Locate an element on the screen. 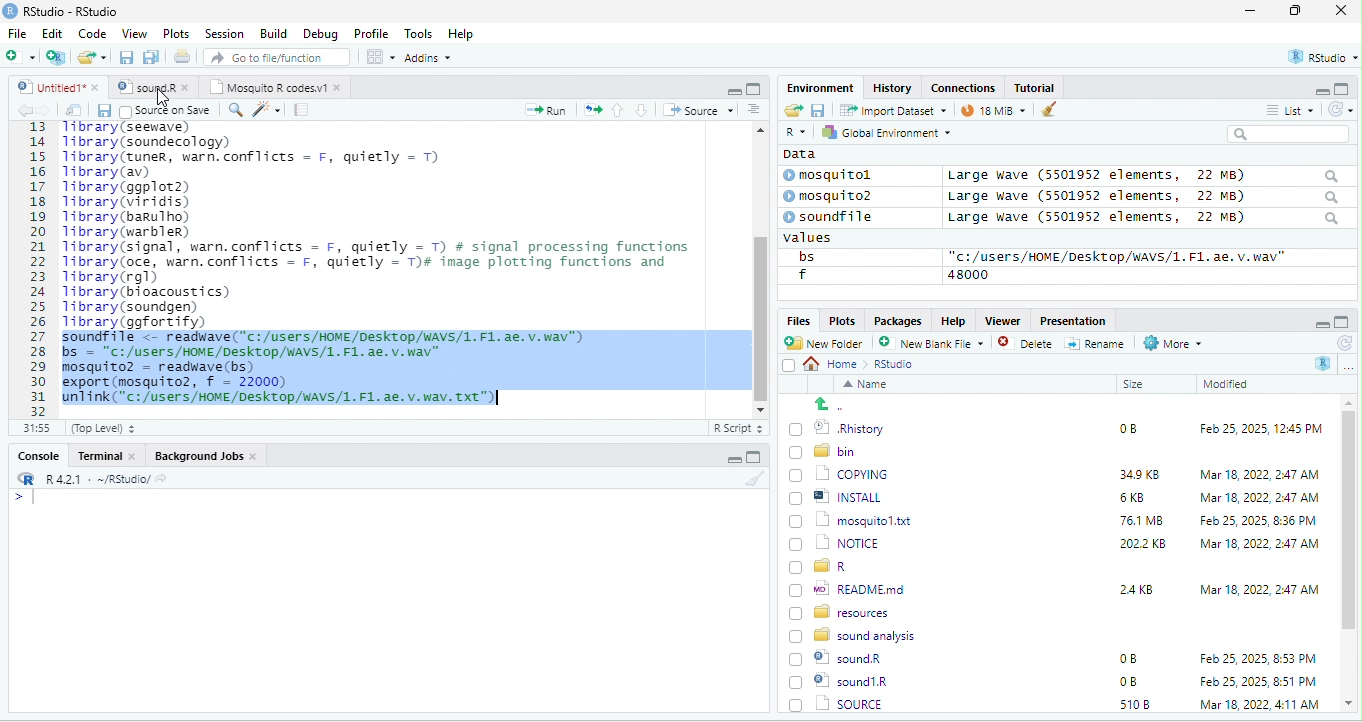  + Source + is located at coordinates (698, 109).